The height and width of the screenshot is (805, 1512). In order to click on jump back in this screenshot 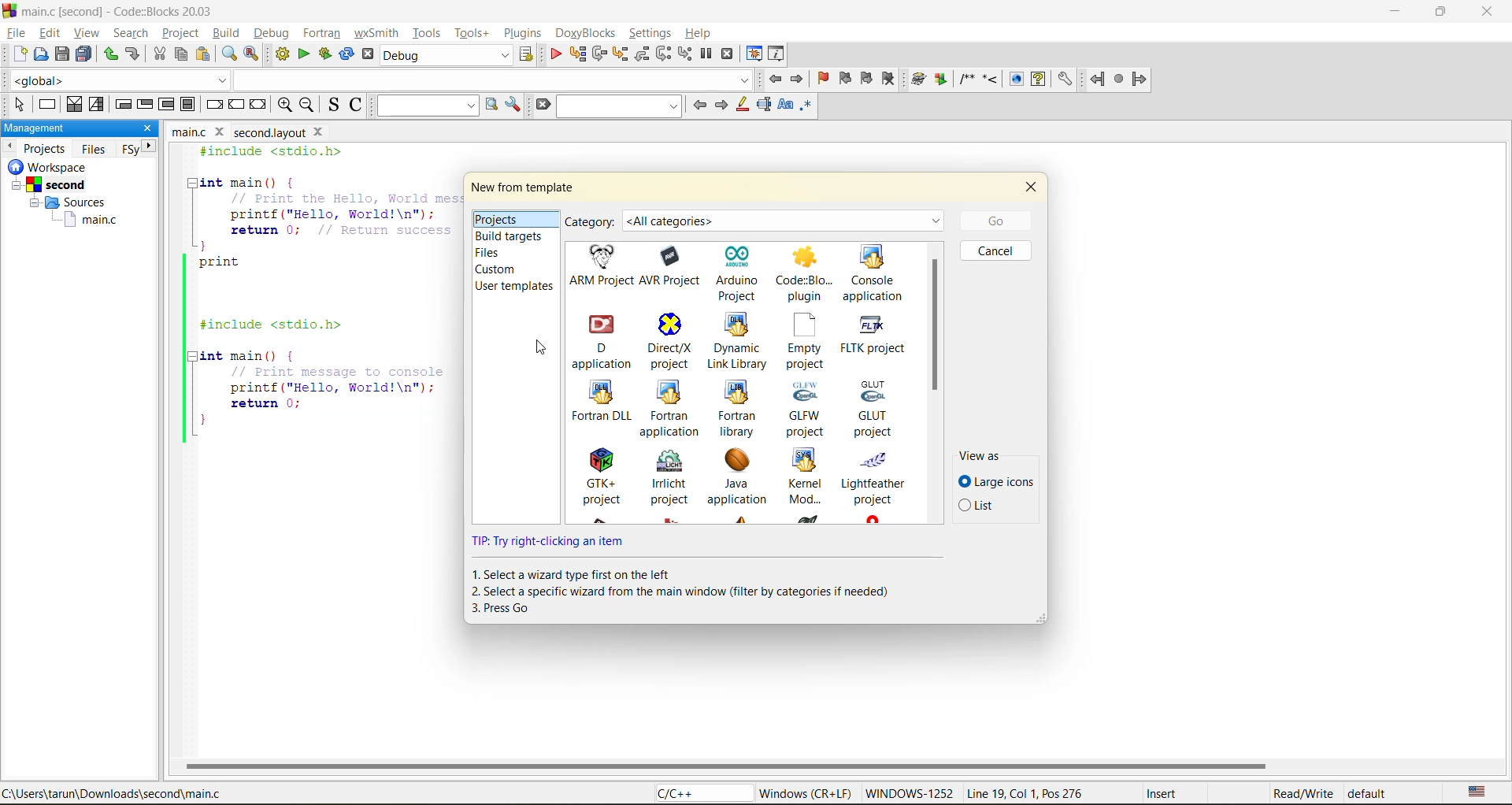, I will do `click(777, 80)`.